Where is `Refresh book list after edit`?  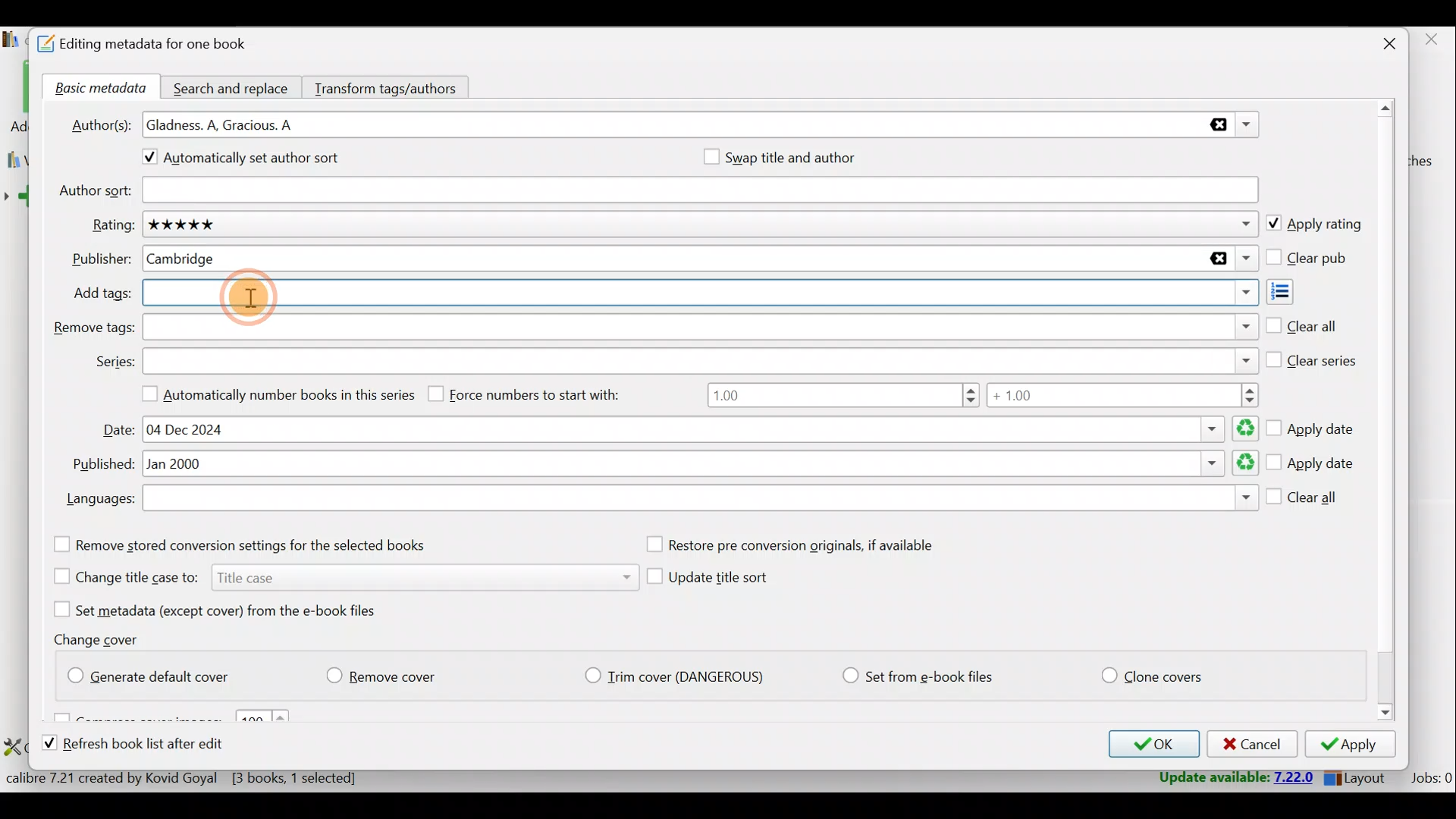
Refresh book list after edit is located at coordinates (147, 745).